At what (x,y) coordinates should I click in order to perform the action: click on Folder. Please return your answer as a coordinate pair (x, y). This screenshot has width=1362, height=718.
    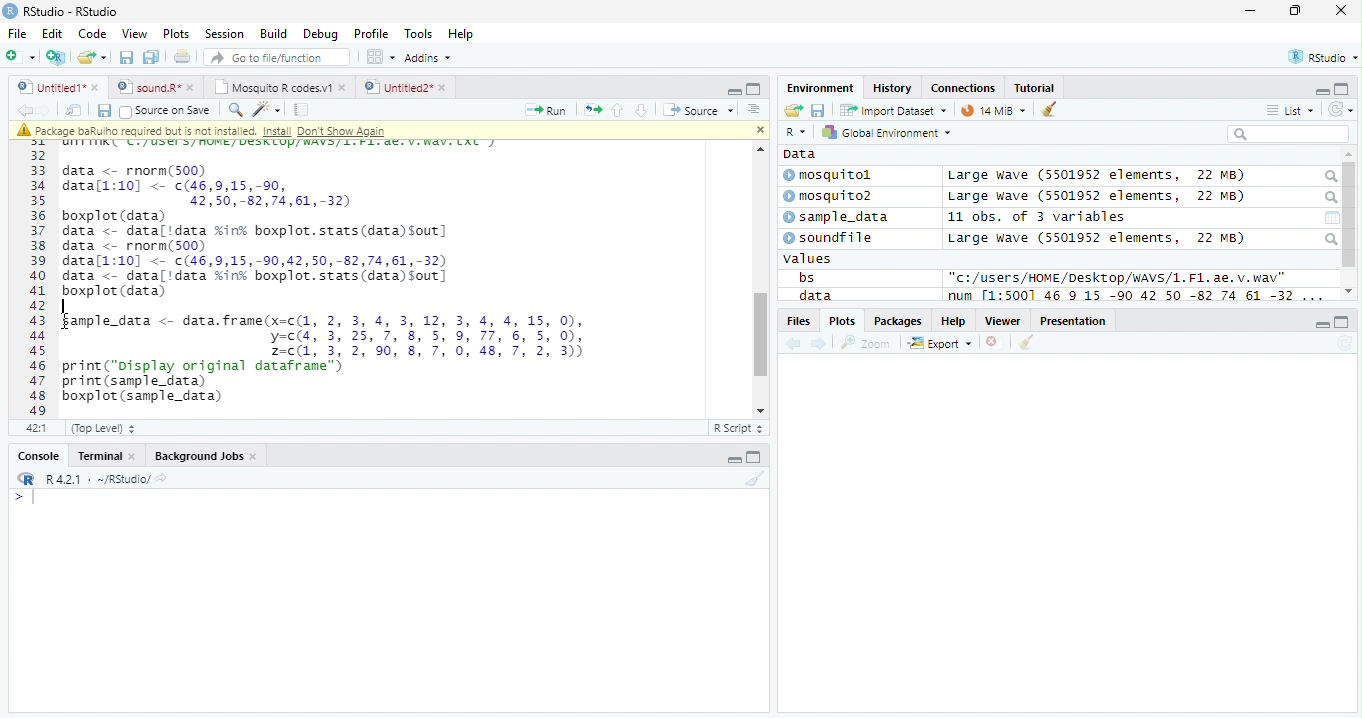
    Looking at the image, I should click on (793, 110).